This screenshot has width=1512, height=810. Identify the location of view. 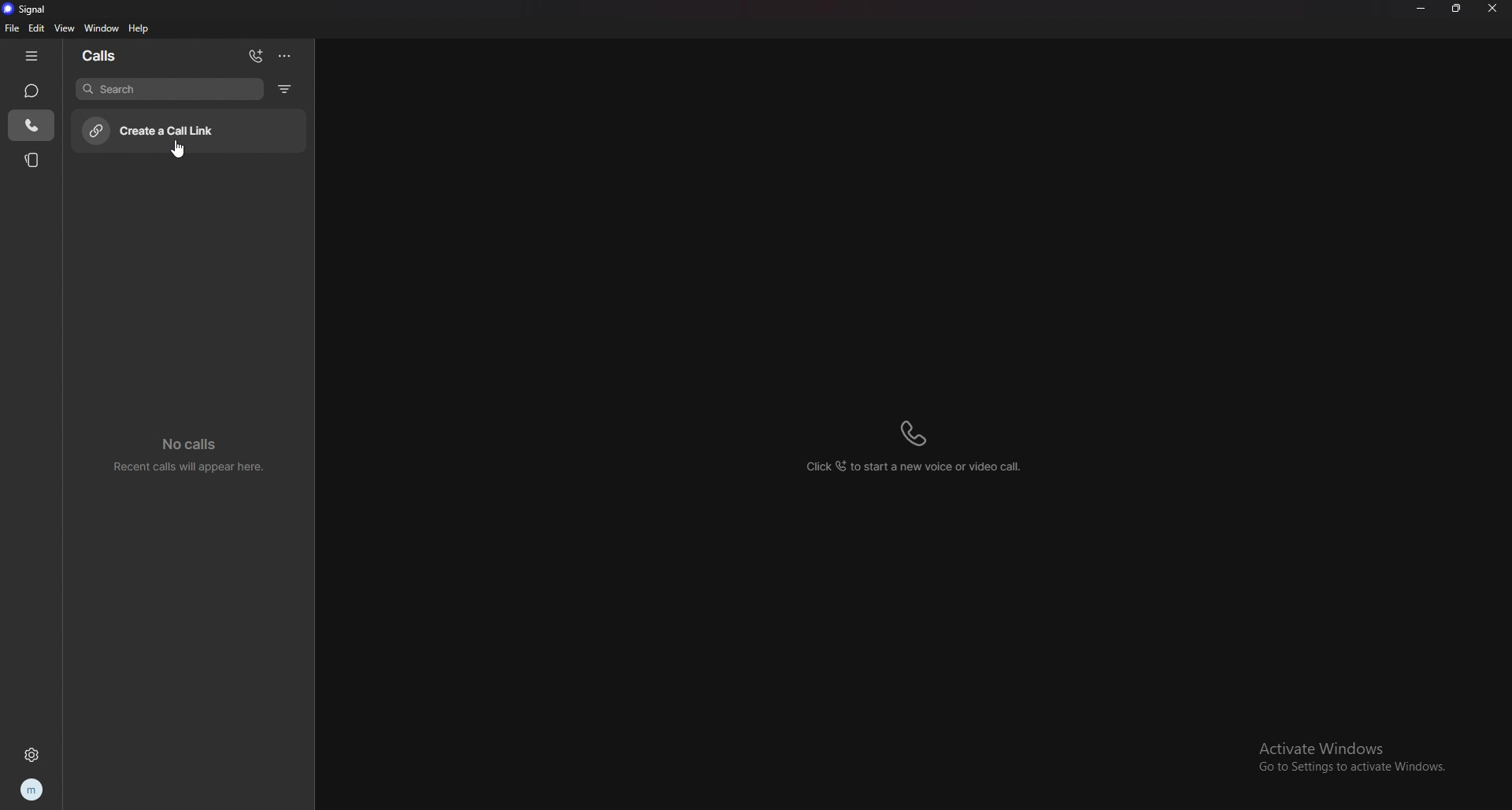
(65, 28).